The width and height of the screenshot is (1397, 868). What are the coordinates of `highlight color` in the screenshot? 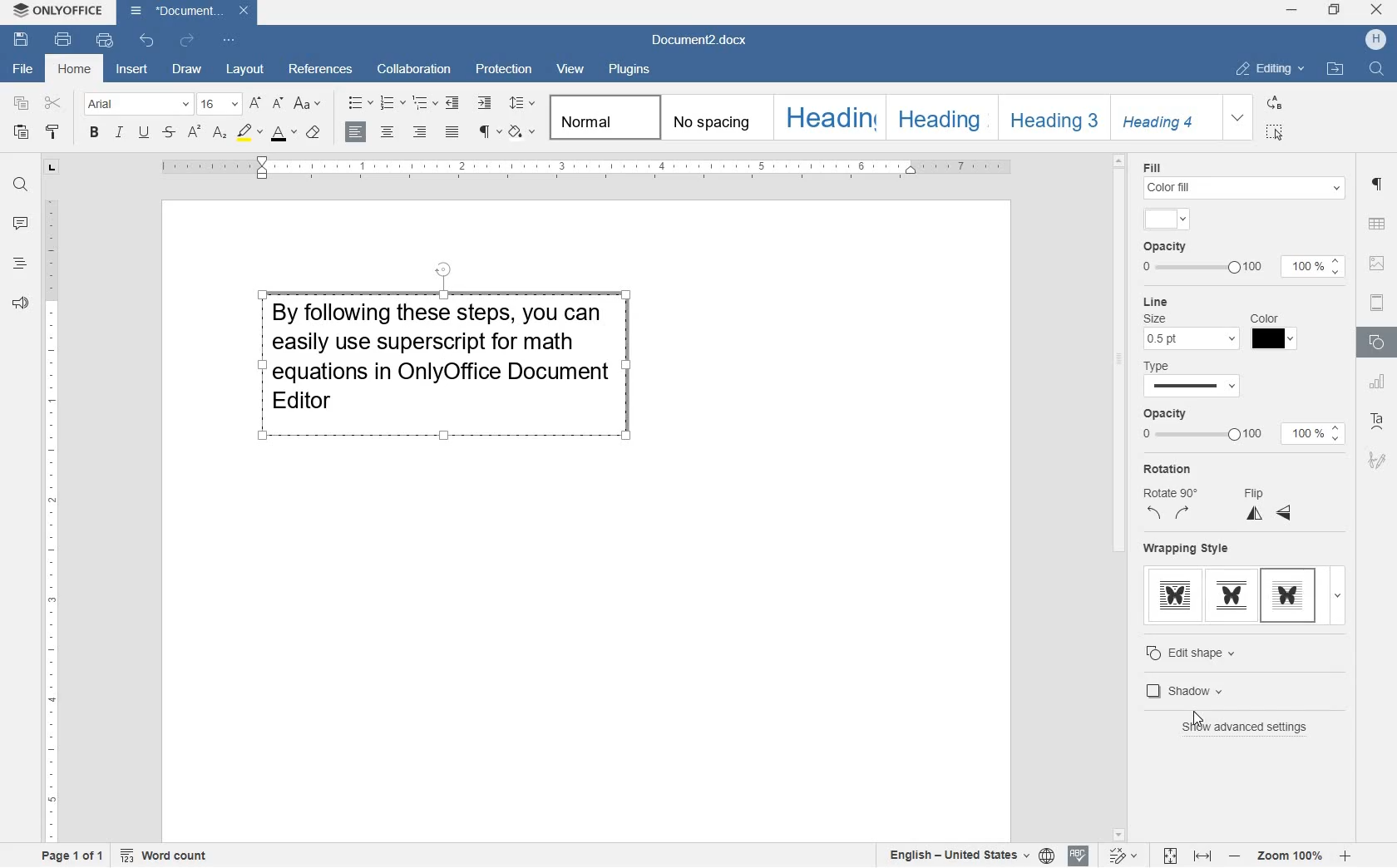 It's located at (249, 133).